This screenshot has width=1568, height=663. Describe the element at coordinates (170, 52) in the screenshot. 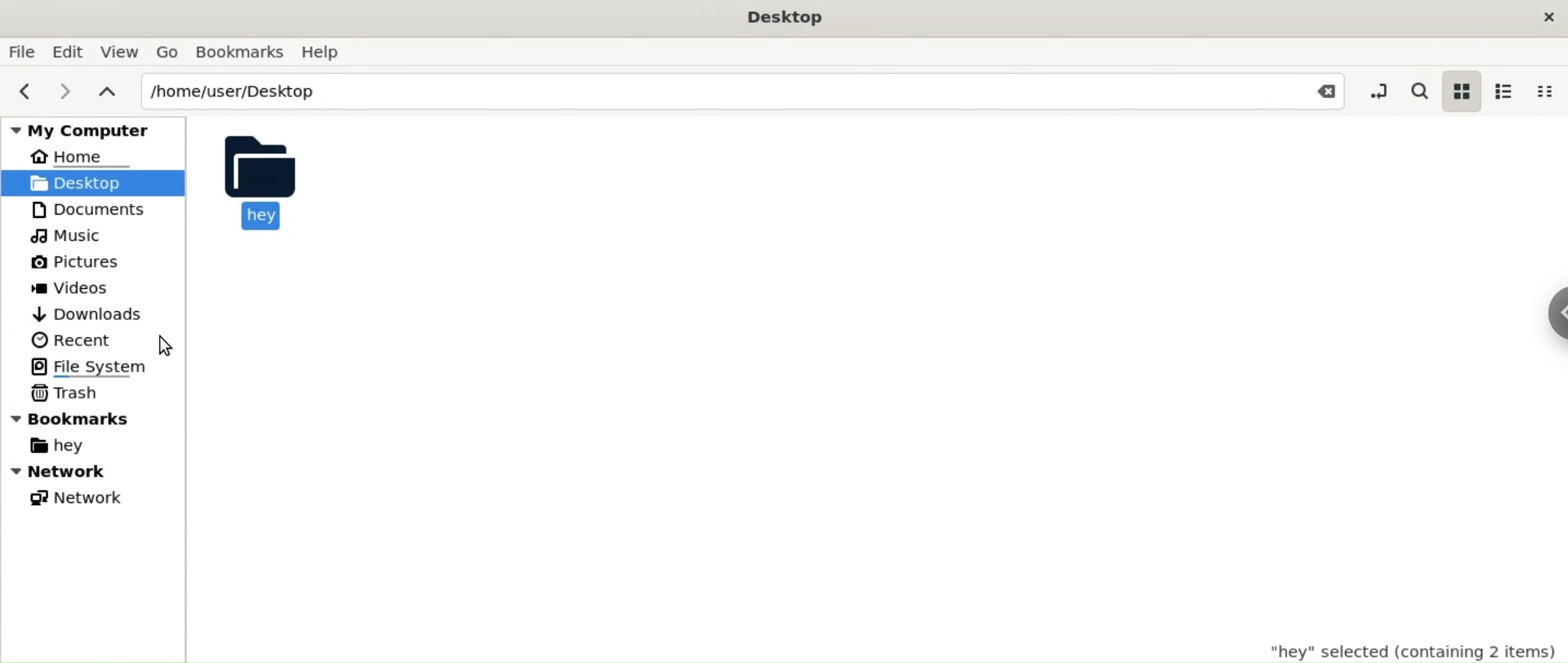

I see `Go` at that location.